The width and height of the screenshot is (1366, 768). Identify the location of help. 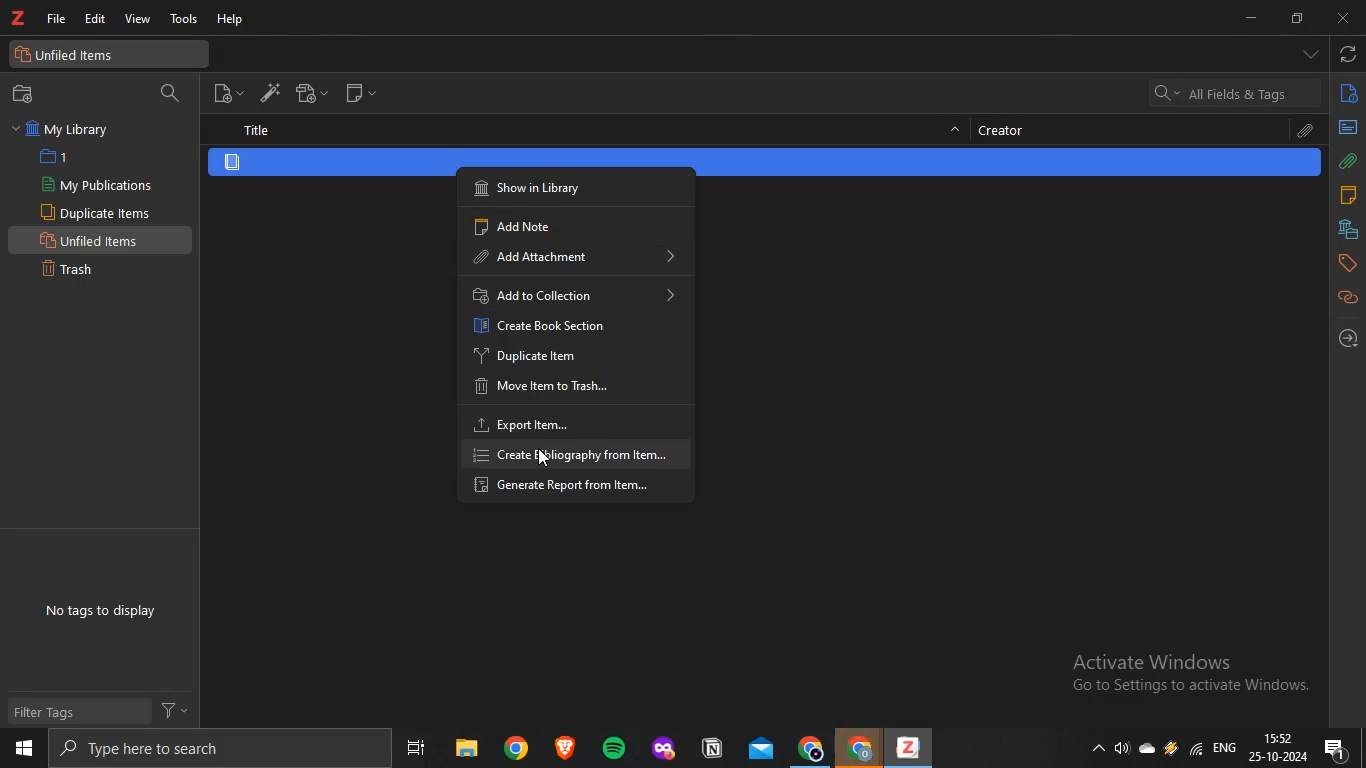
(233, 20).